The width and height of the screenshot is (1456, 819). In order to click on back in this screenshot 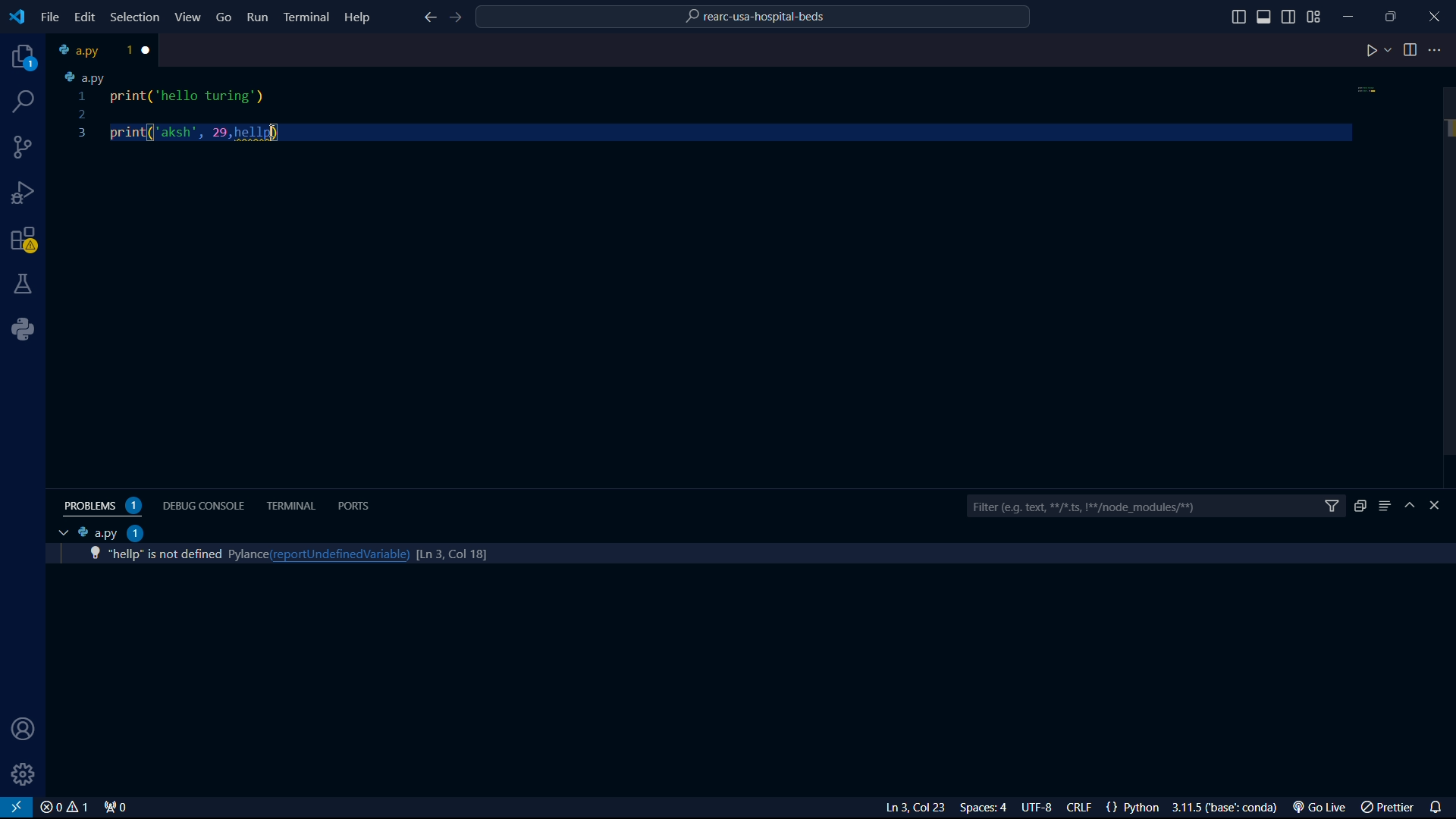, I will do `click(428, 19)`.